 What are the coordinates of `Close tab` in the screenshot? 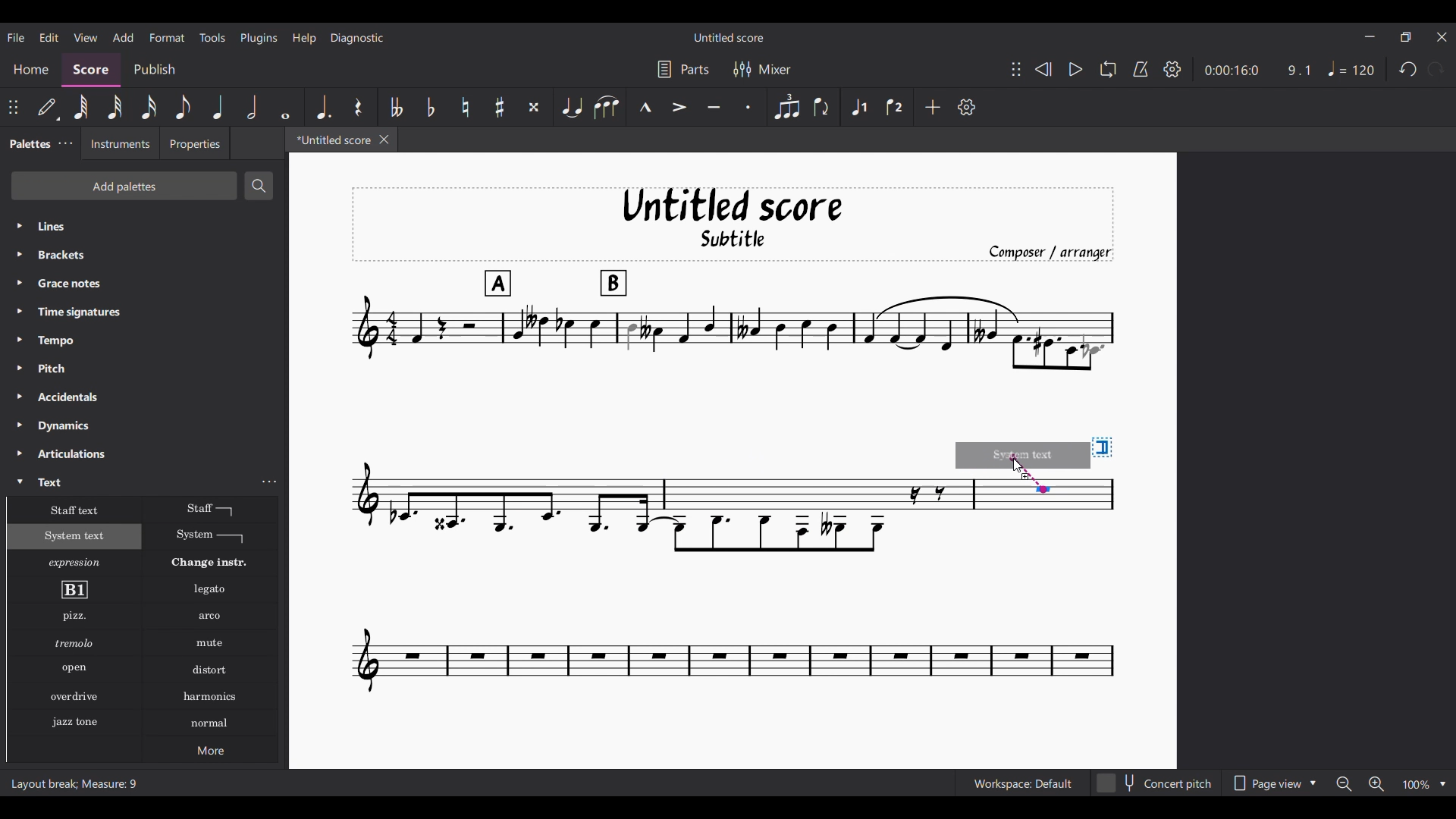 It's located at (384, 140).